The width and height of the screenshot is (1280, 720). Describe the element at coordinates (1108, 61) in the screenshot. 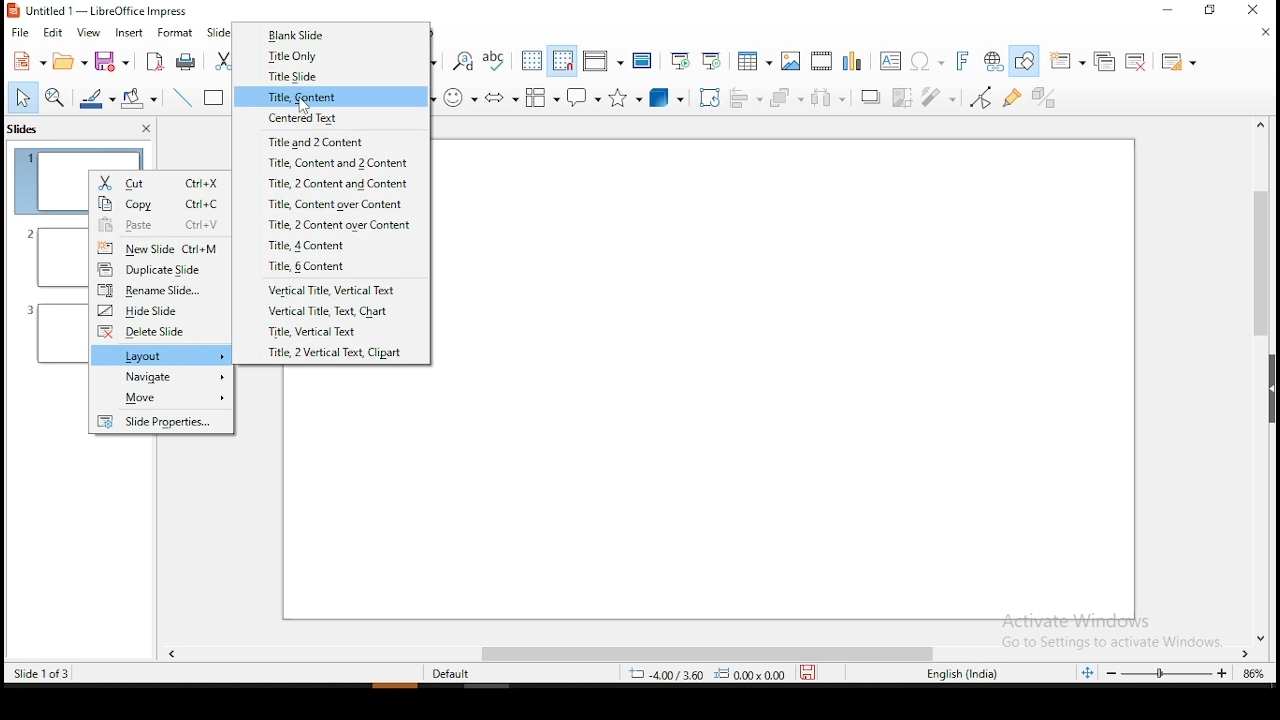

I see `duplicate` at that location.